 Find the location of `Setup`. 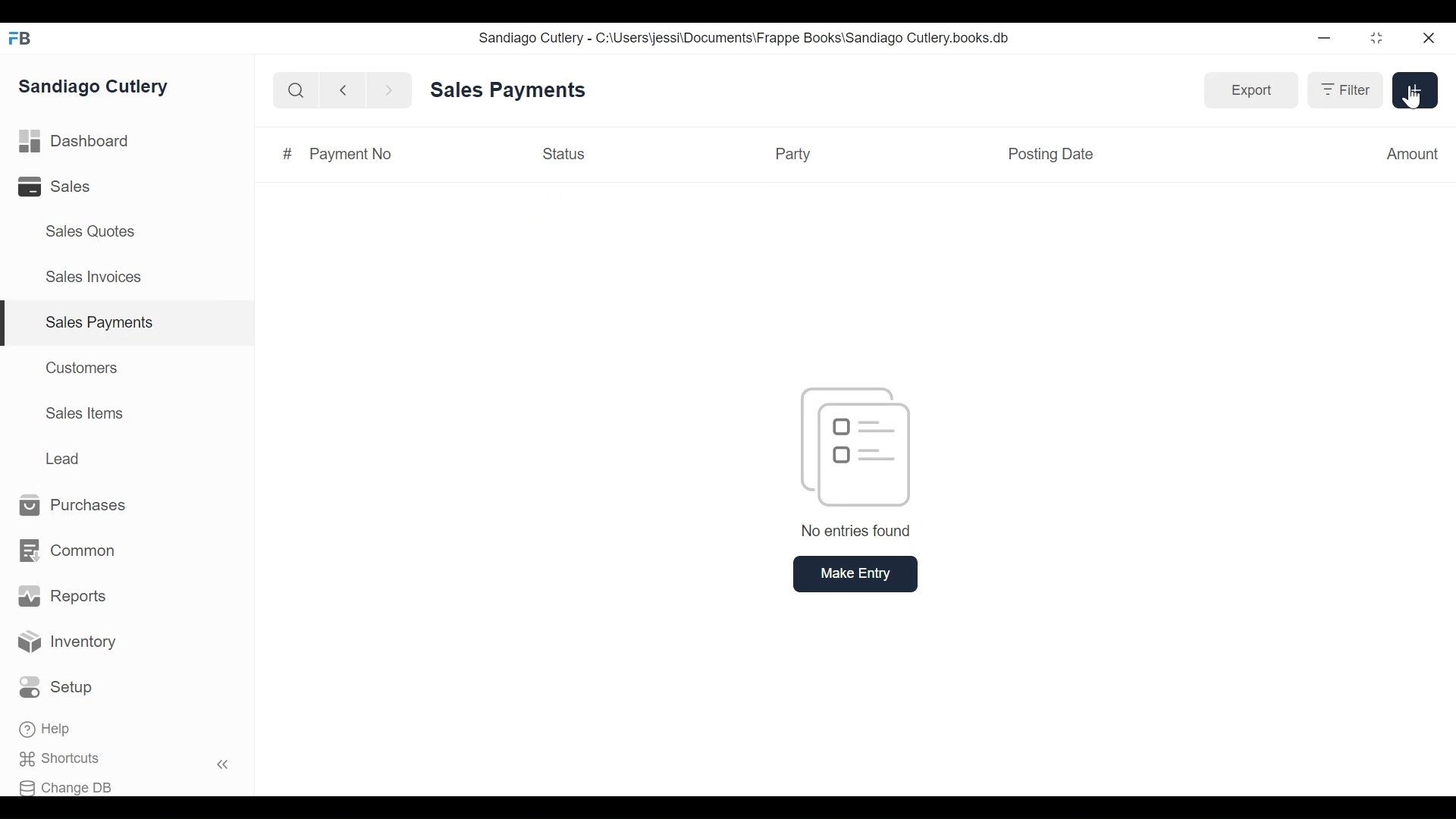

Setup is located at coordinates (60, 688).